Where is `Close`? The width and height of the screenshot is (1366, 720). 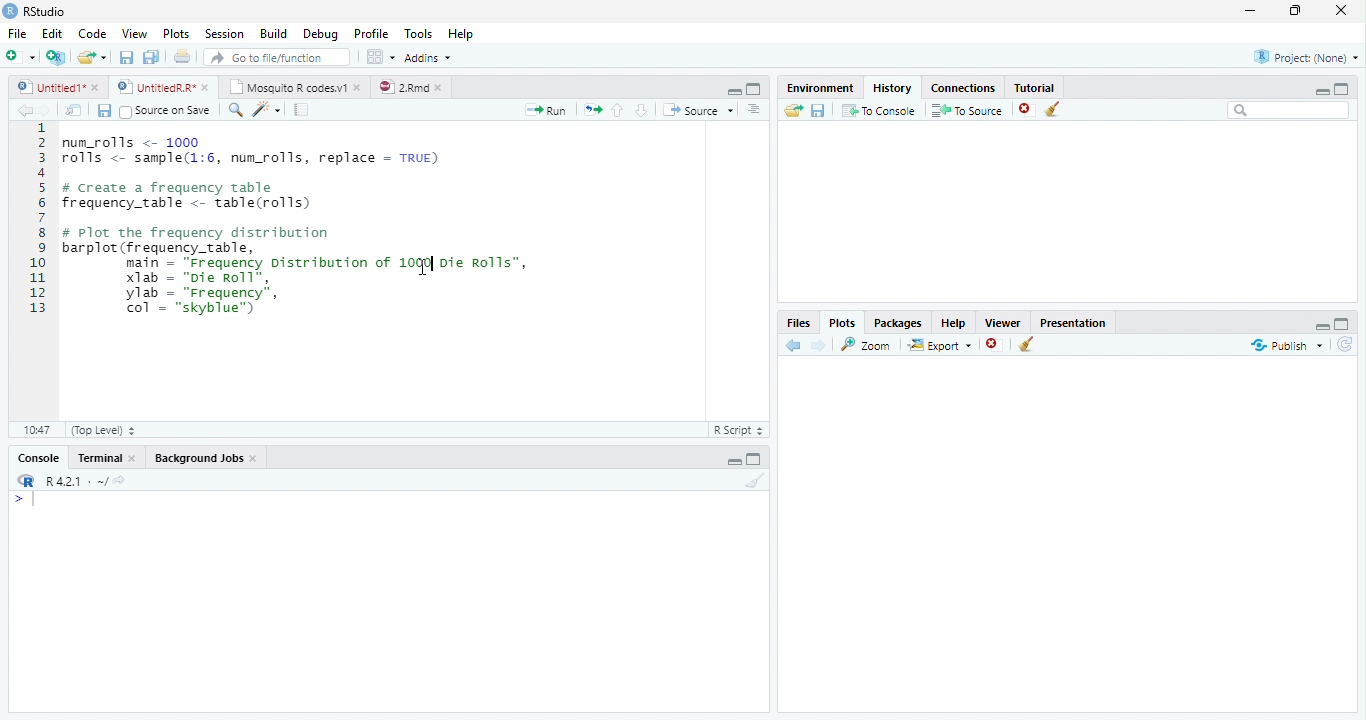 Close is located at coordinates (1343, 11).